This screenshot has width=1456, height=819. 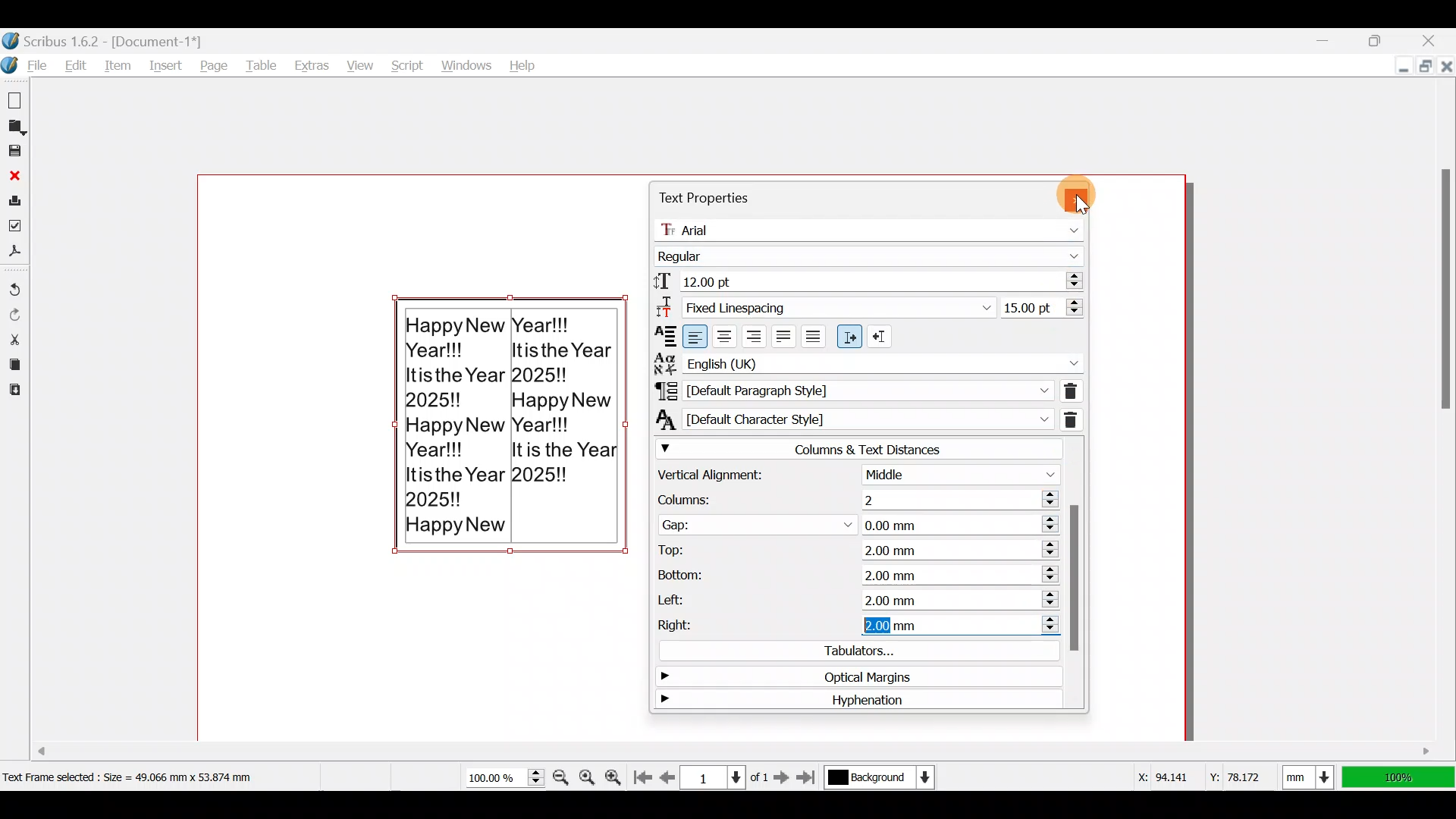 What do you see at coordinates (17, 254) in the screenshot?
I see `Save as PDF` at bounding box center [17, 254].